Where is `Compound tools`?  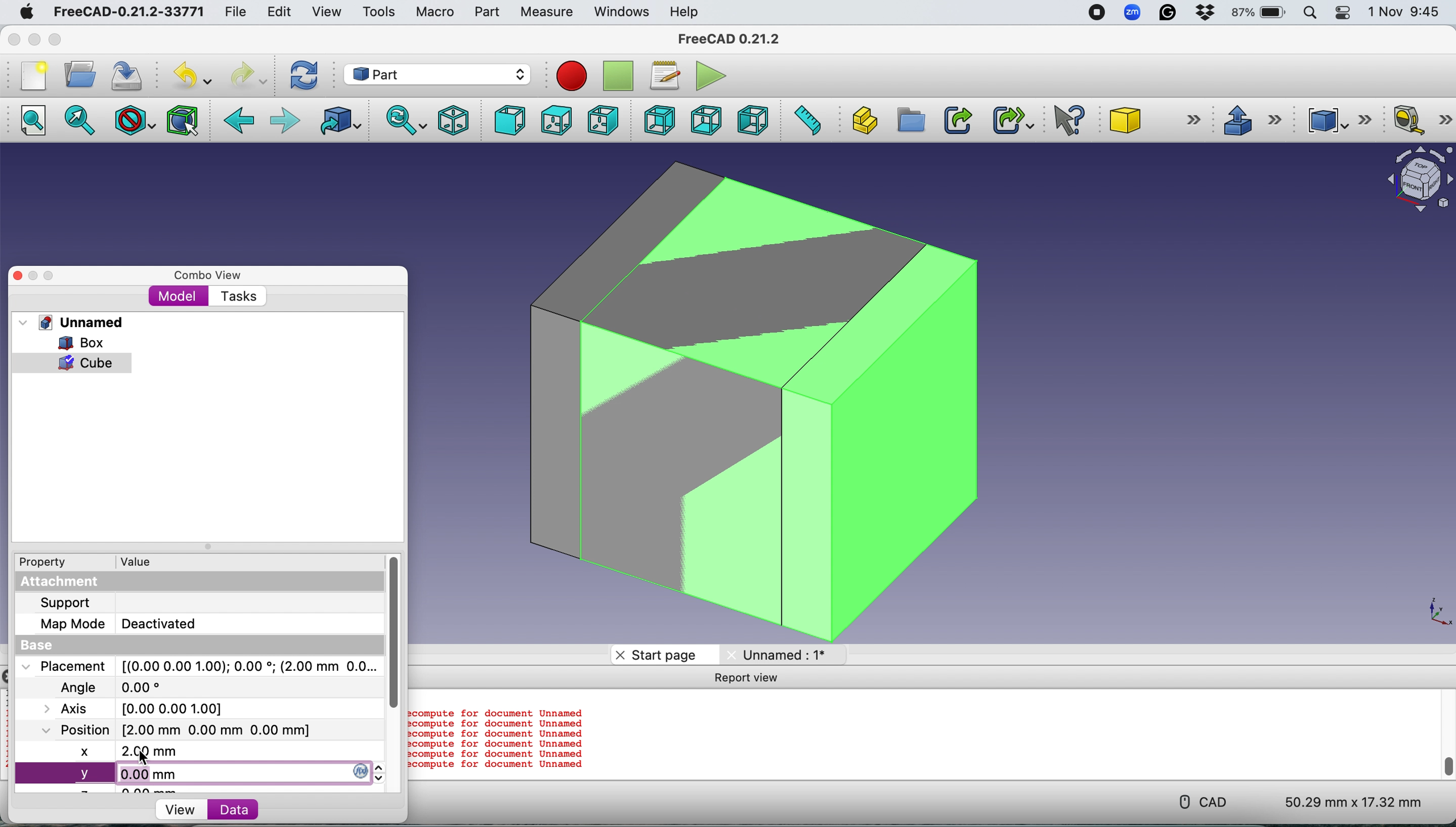
Compound tools is located at coordinates (1336, 120).